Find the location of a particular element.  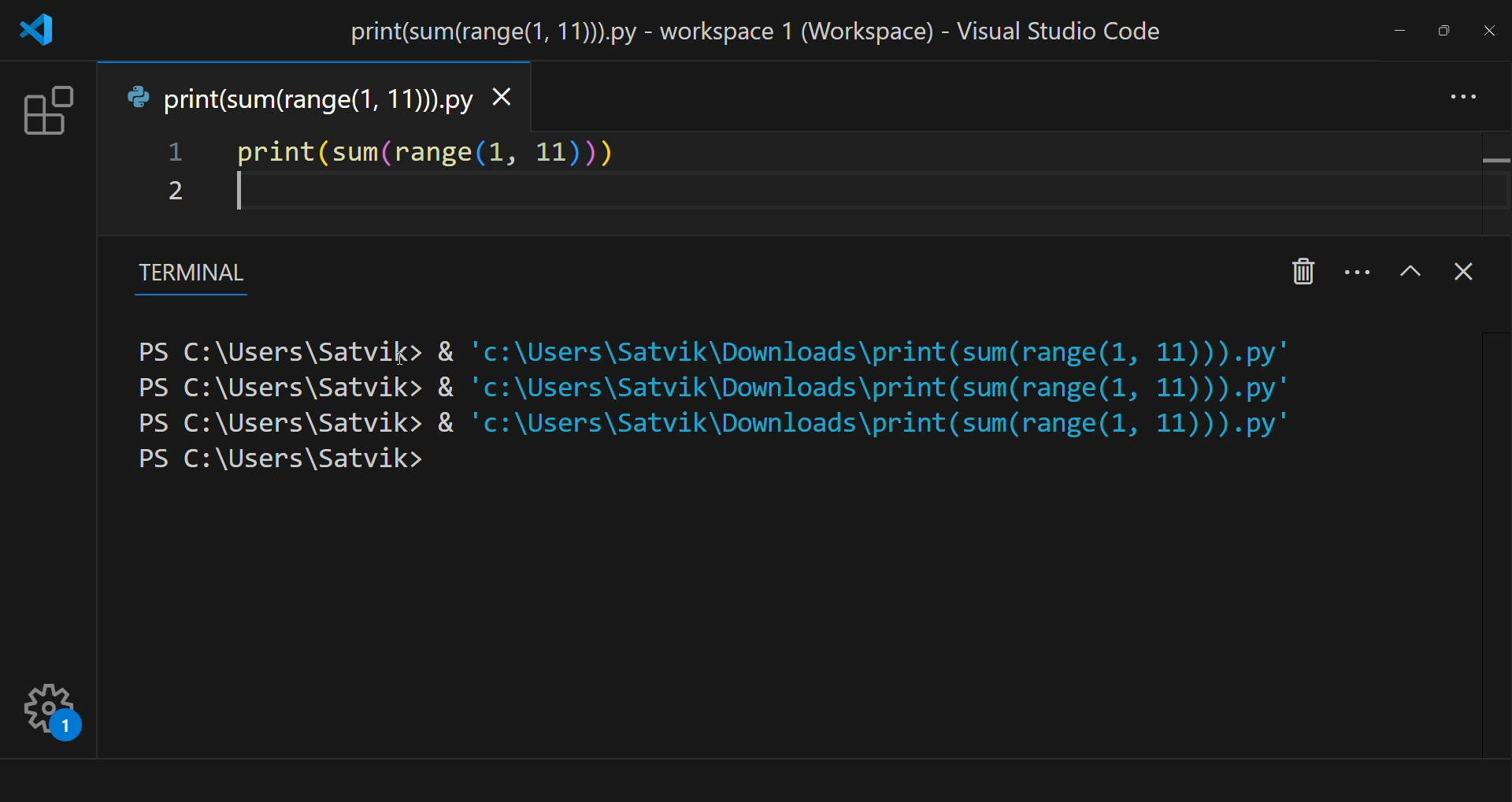

kill is located at coordinates (1302, 268).